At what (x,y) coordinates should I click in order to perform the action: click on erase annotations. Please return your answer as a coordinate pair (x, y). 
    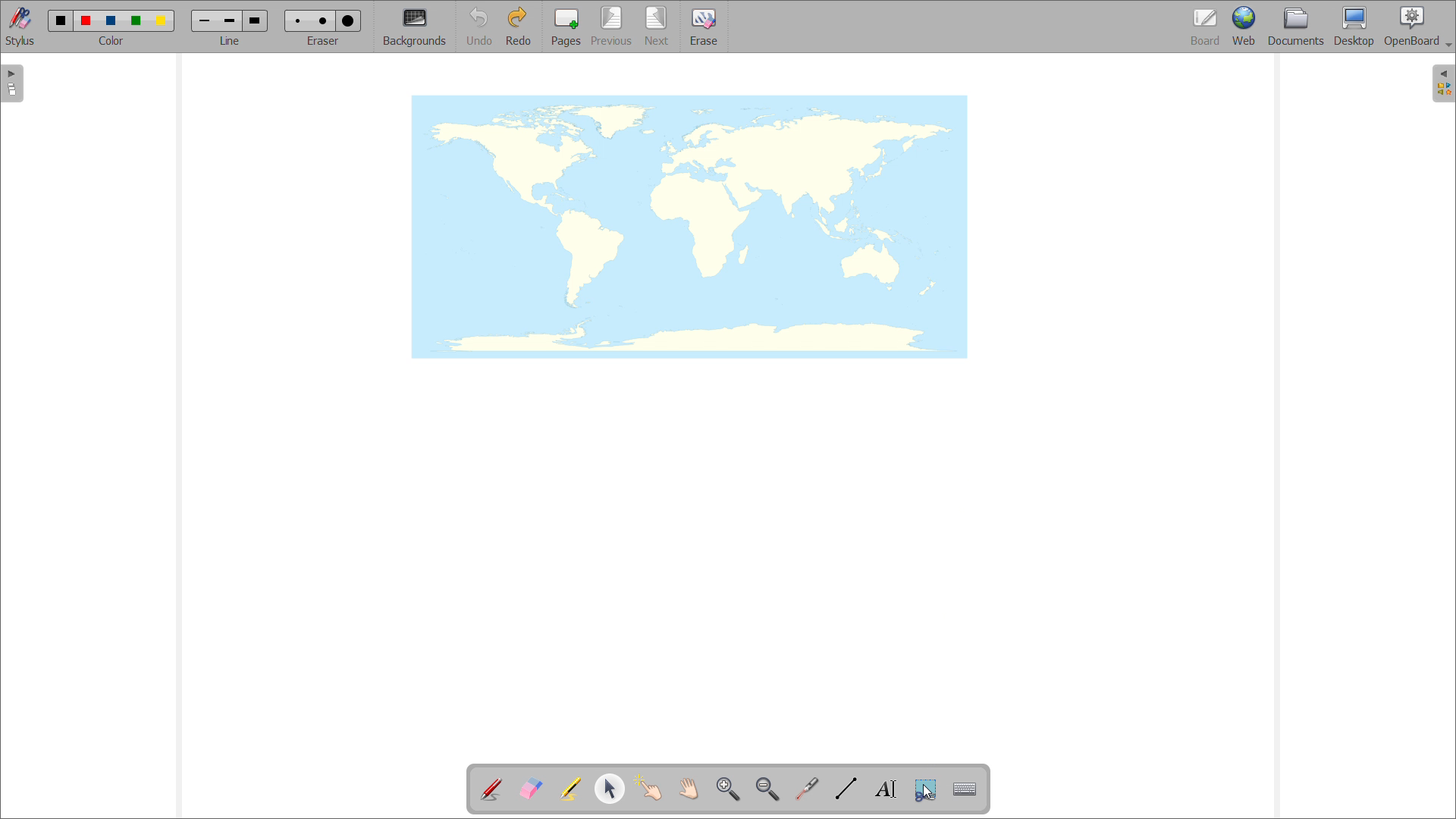
    Looking at the image, I should click on (530, 788).